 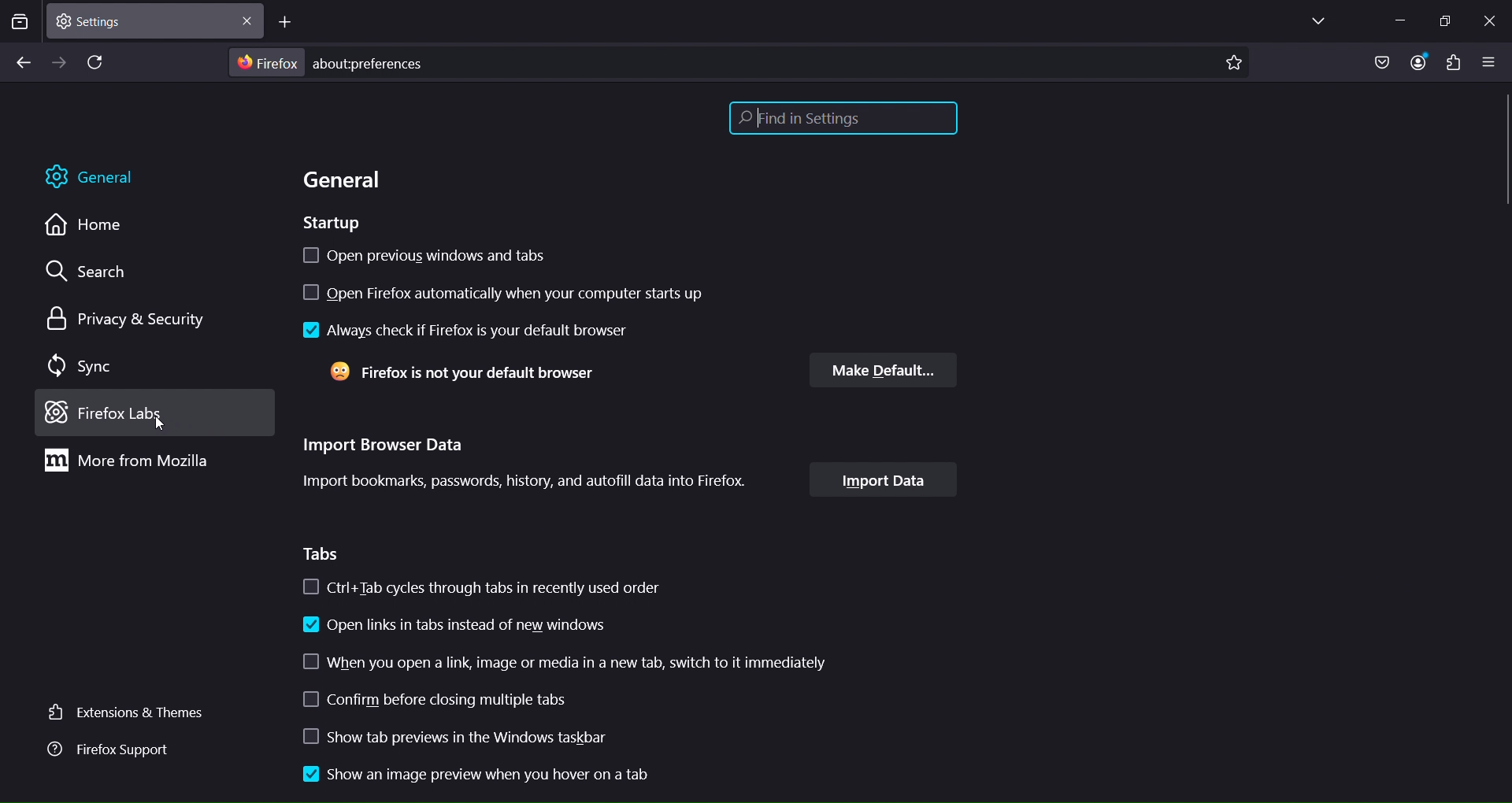 I want to click on always check if firefox is ur default browser, so click(x=464, y=329).